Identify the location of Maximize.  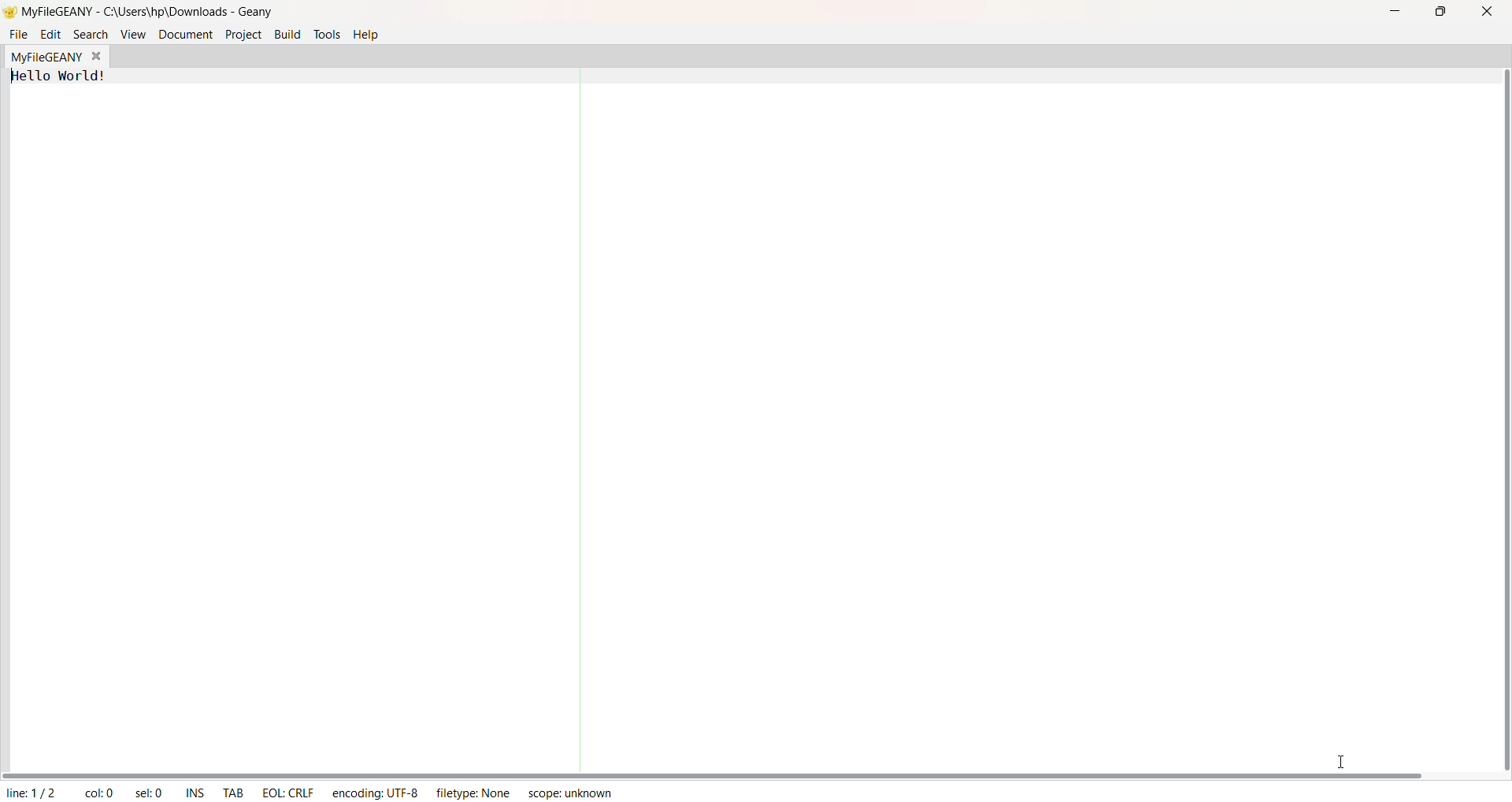
(1443, 13).